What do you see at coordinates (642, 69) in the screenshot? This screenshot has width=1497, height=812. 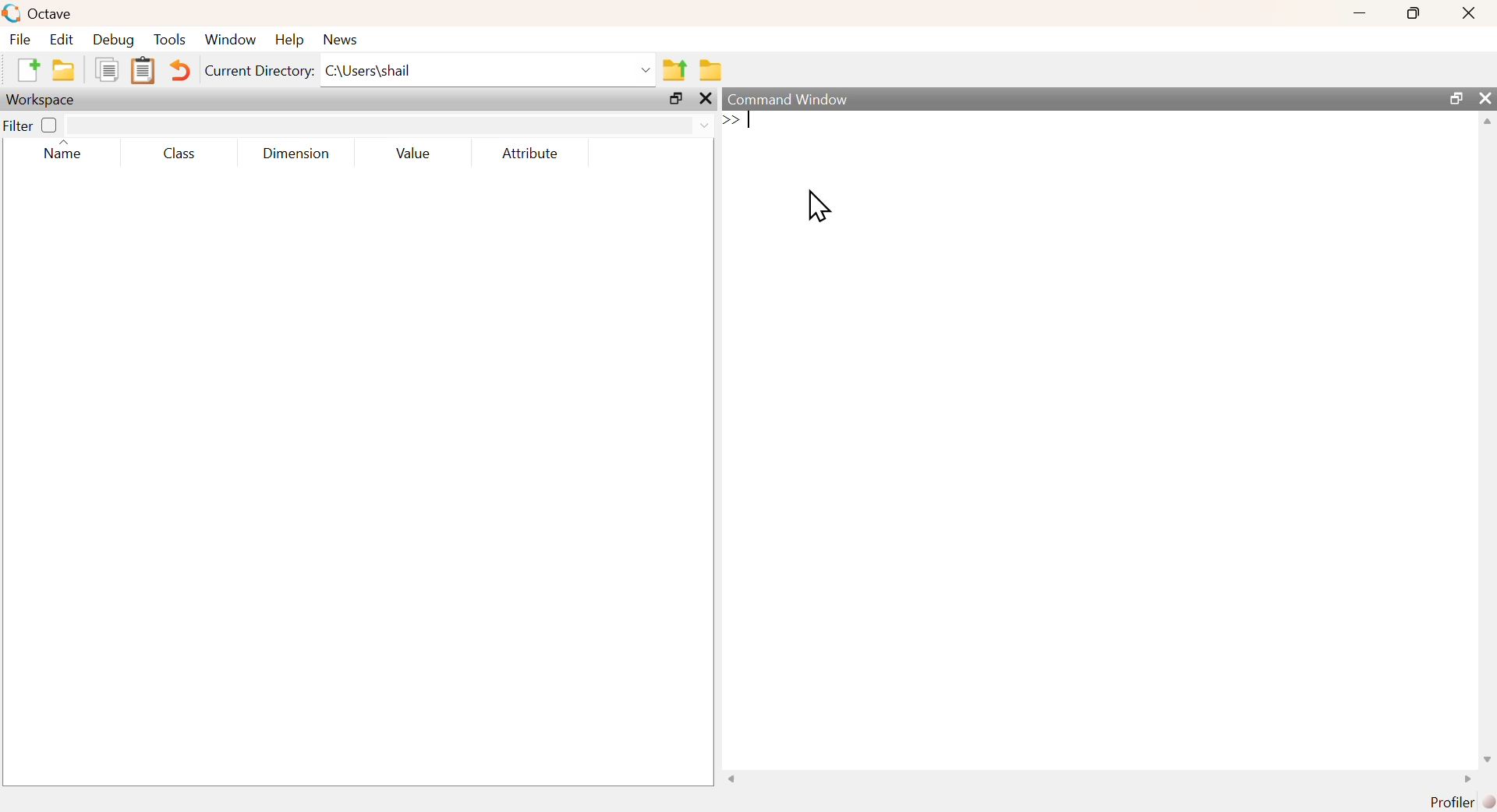 I see `dropdown` at bounding box center [642, 69].